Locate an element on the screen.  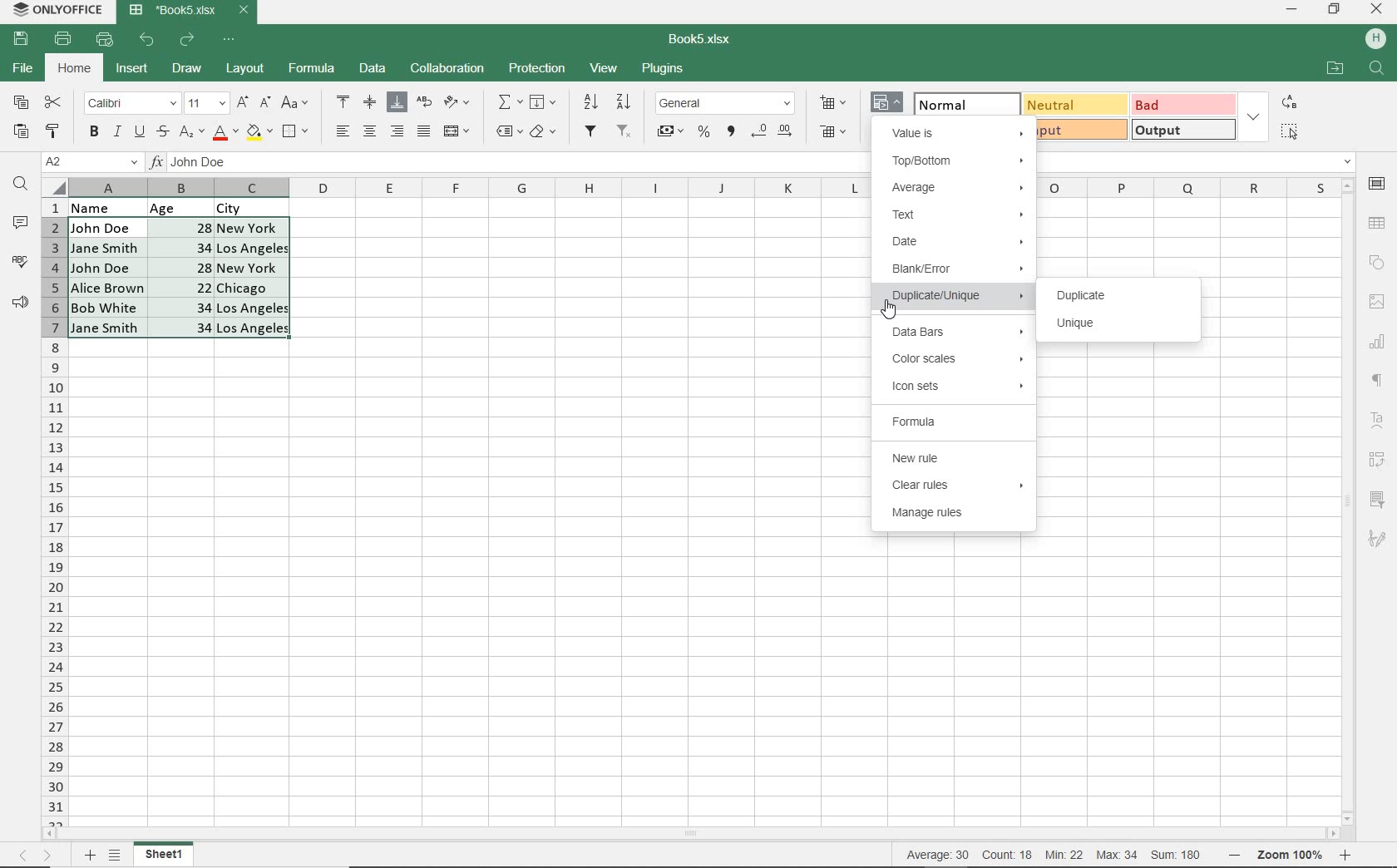
NAME MANAGER is located at coordinates (91, 162).